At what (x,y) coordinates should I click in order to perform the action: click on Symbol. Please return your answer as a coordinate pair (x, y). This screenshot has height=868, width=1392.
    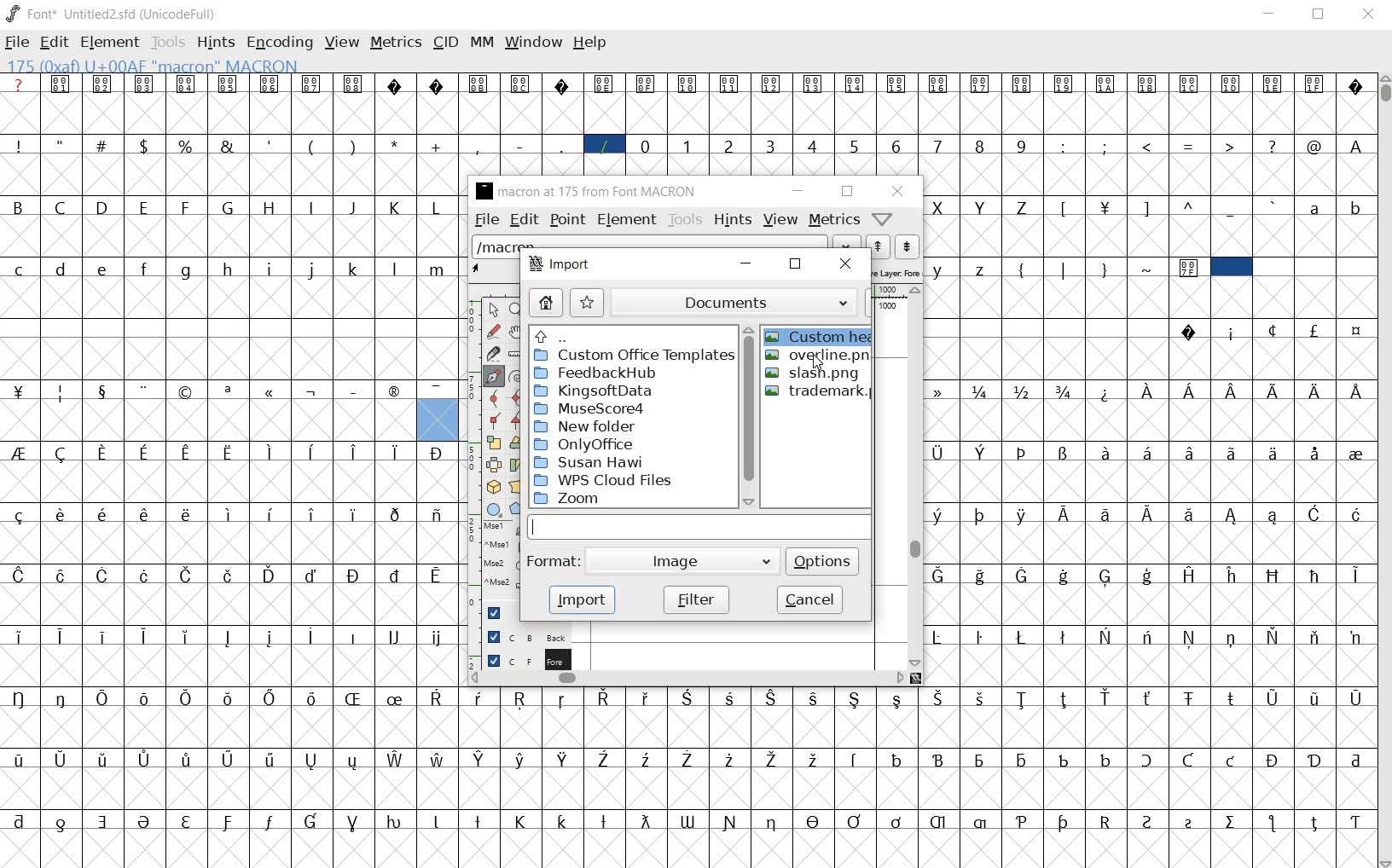
    Looking at the image, I should click on (351, 636).